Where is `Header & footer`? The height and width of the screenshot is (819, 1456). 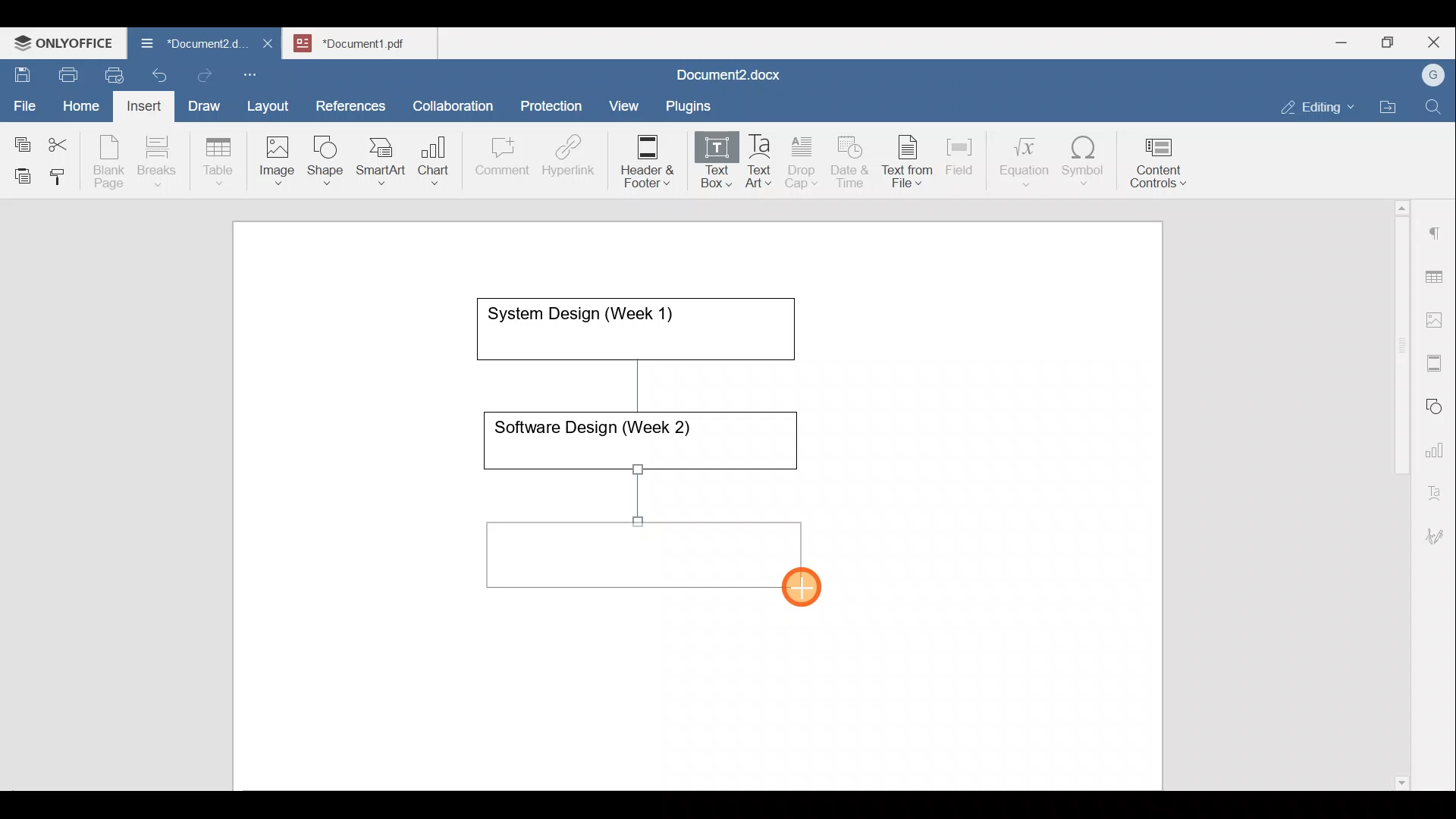 Header & footer is located at coordinates (642, 160).